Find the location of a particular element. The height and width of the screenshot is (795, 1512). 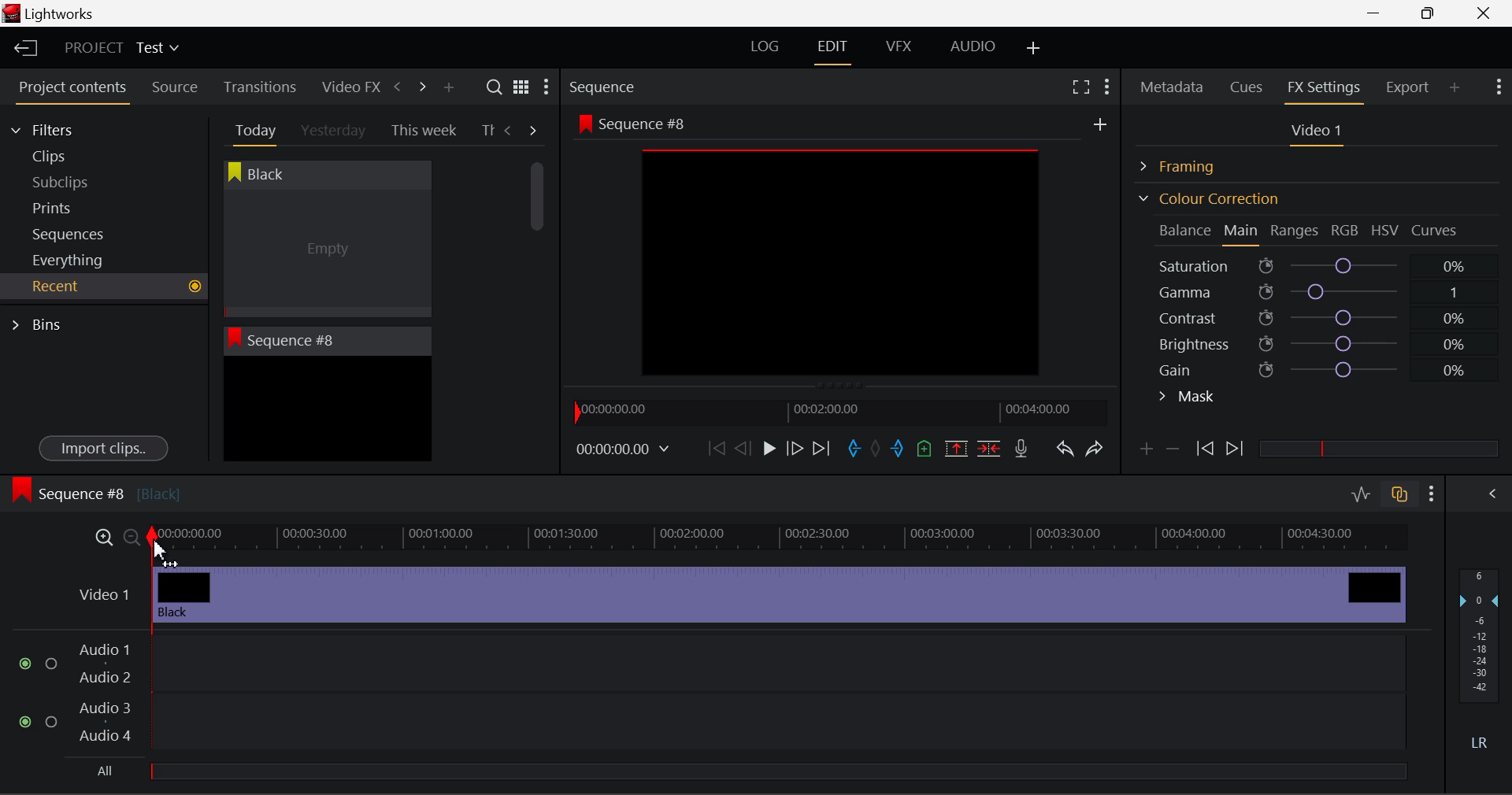

Full Screen is located at coordinates (1080, 86).